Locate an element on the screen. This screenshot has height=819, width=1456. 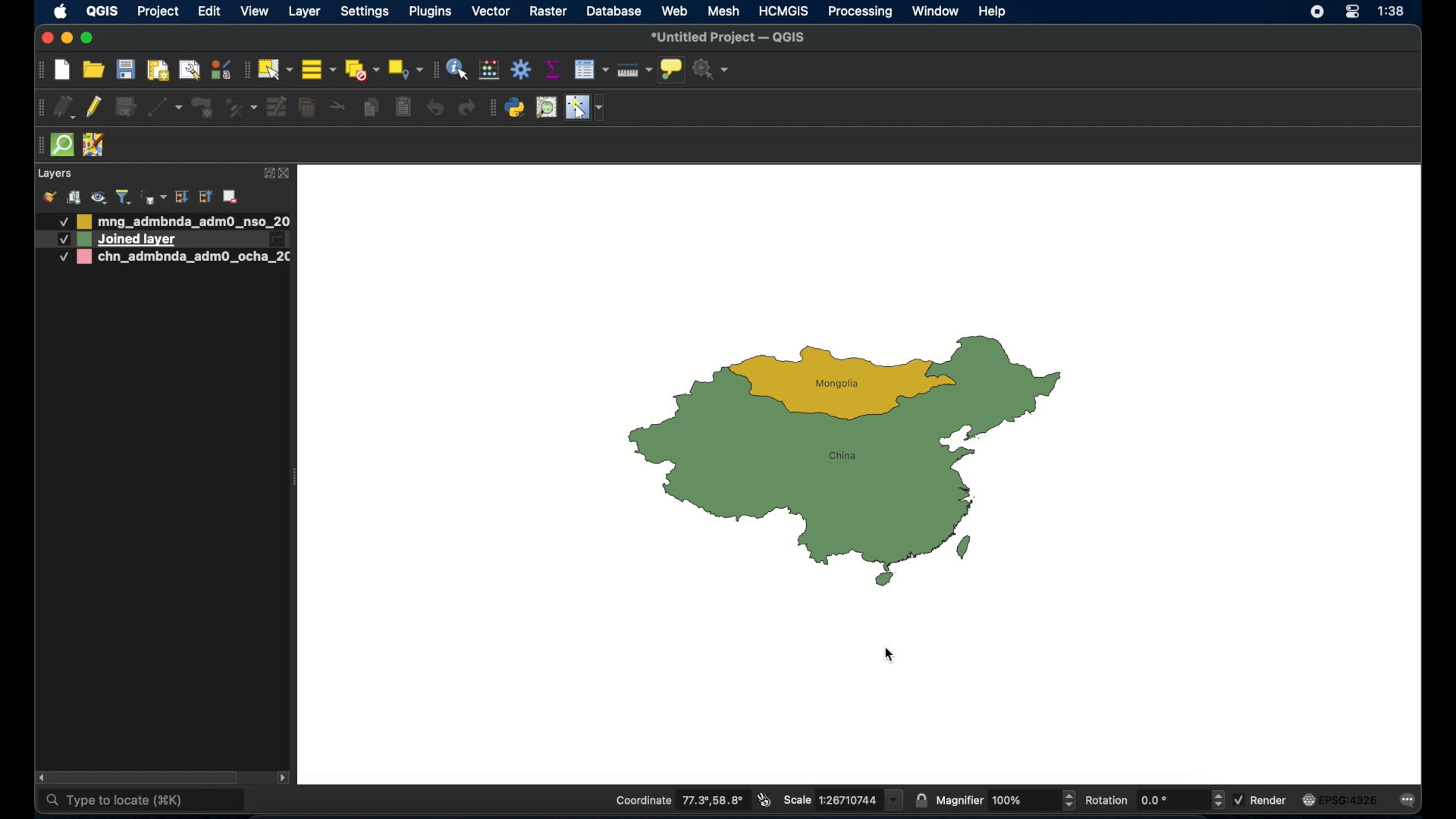
osm place search is located at coordinates (547, 108).